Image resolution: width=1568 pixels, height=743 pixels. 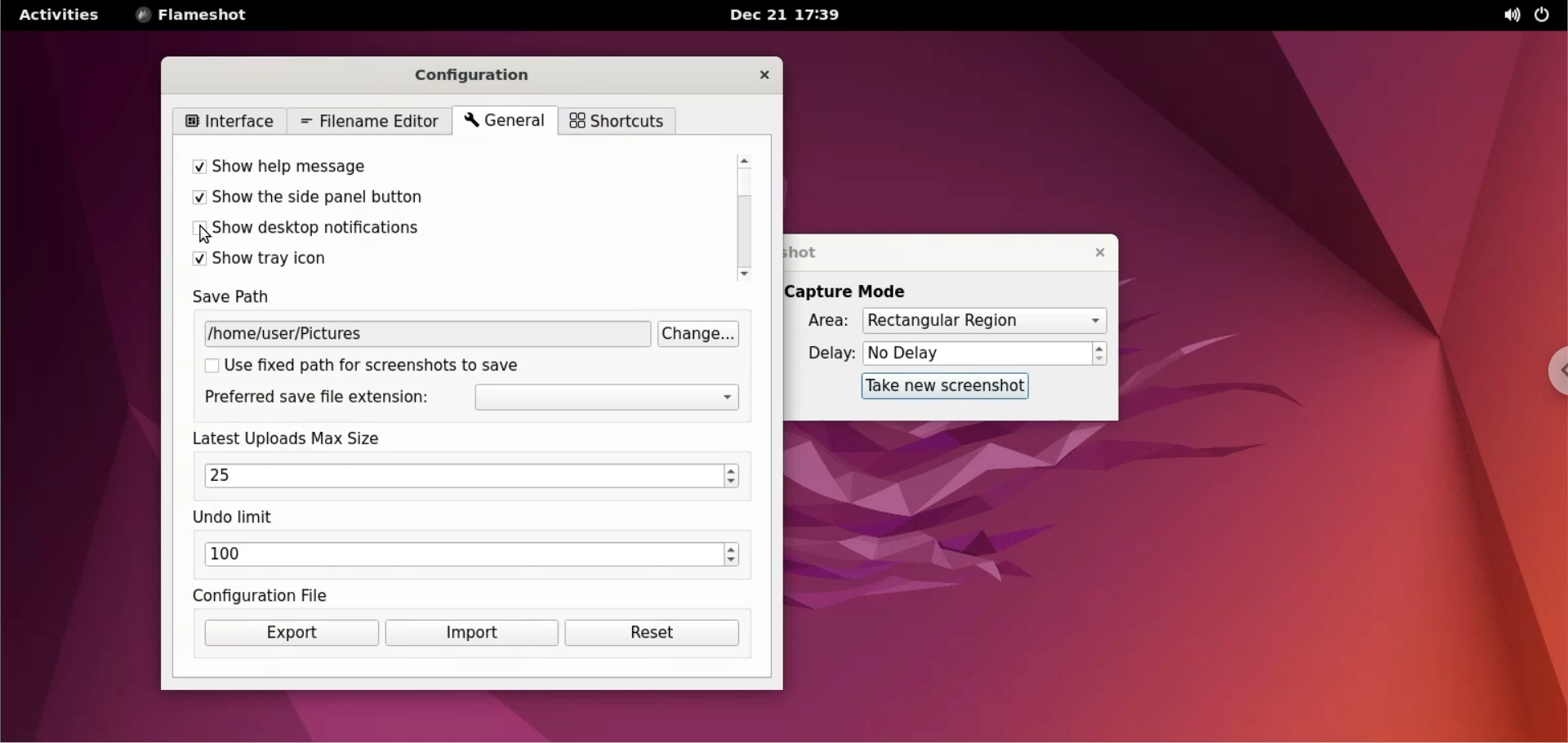 What do you see at coordinates (461, 556) in the screenshot?
I see `undo limit value input box` at bounding box center [461, 556].